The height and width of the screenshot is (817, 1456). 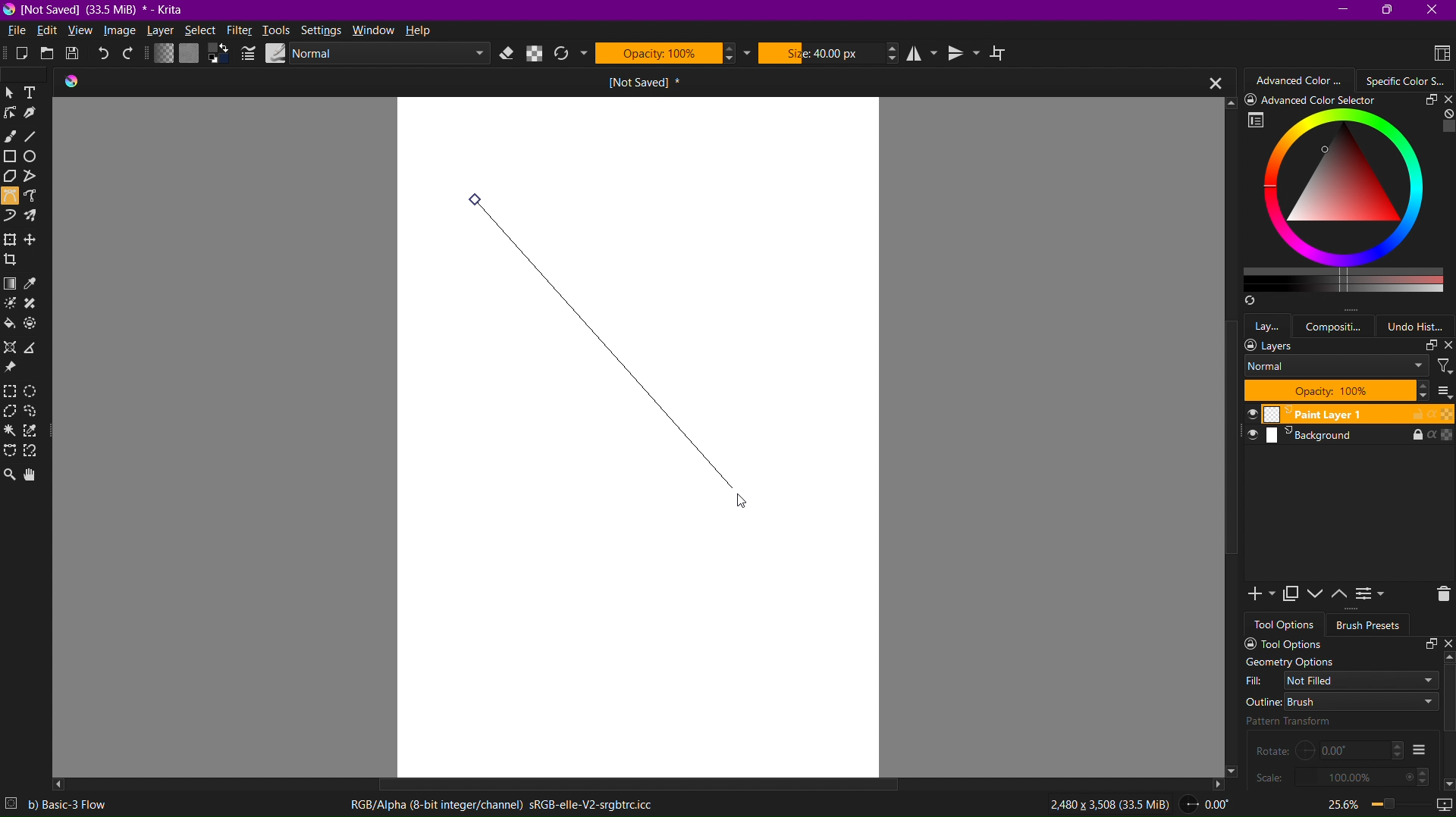 What do you see at coordinates (37, 178) in the screenshot?
I see `Polyline Tool` at bounding box center [37, 178].